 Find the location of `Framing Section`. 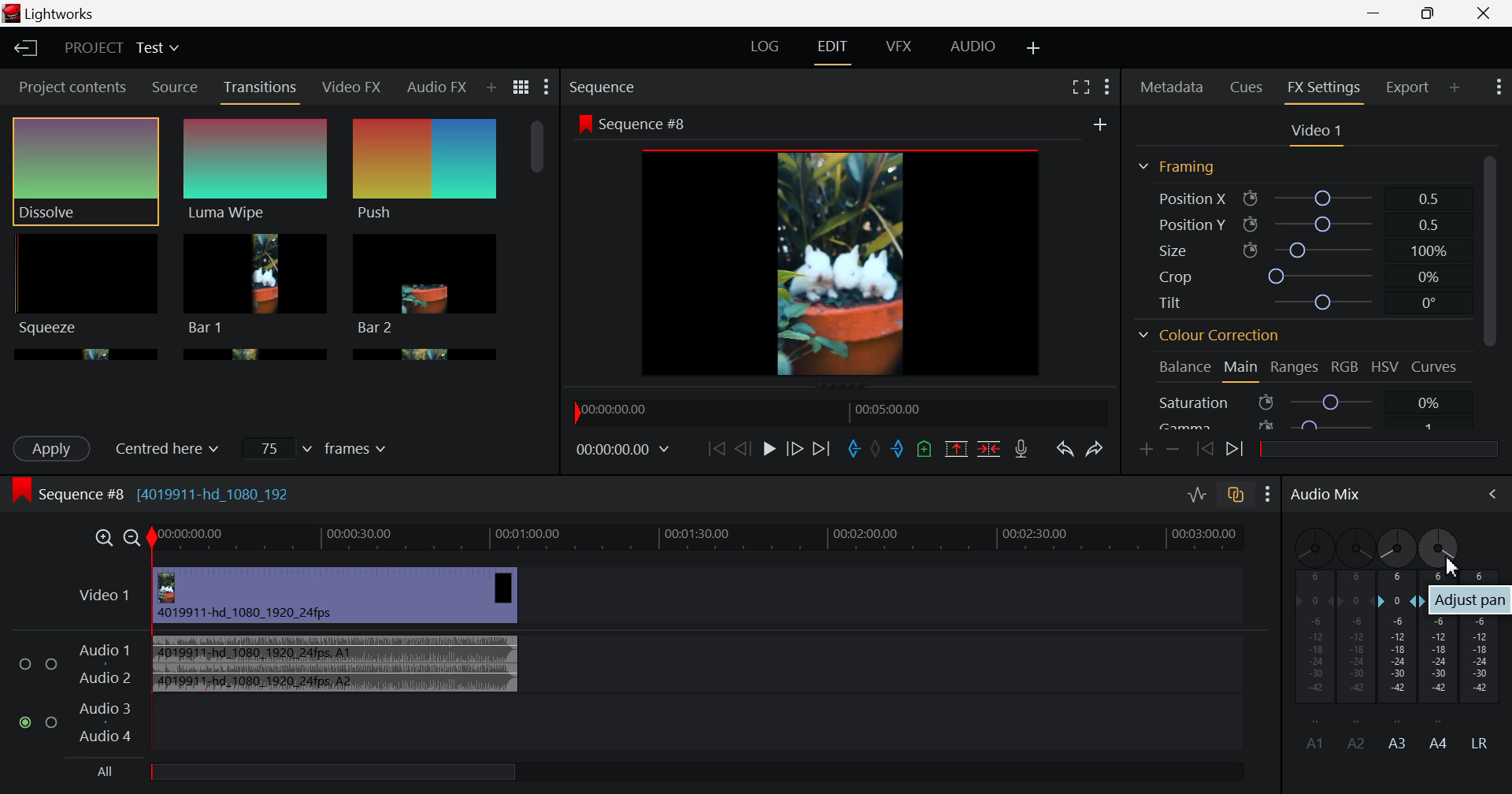

Framing Section is located at coordinates (1180, 167).